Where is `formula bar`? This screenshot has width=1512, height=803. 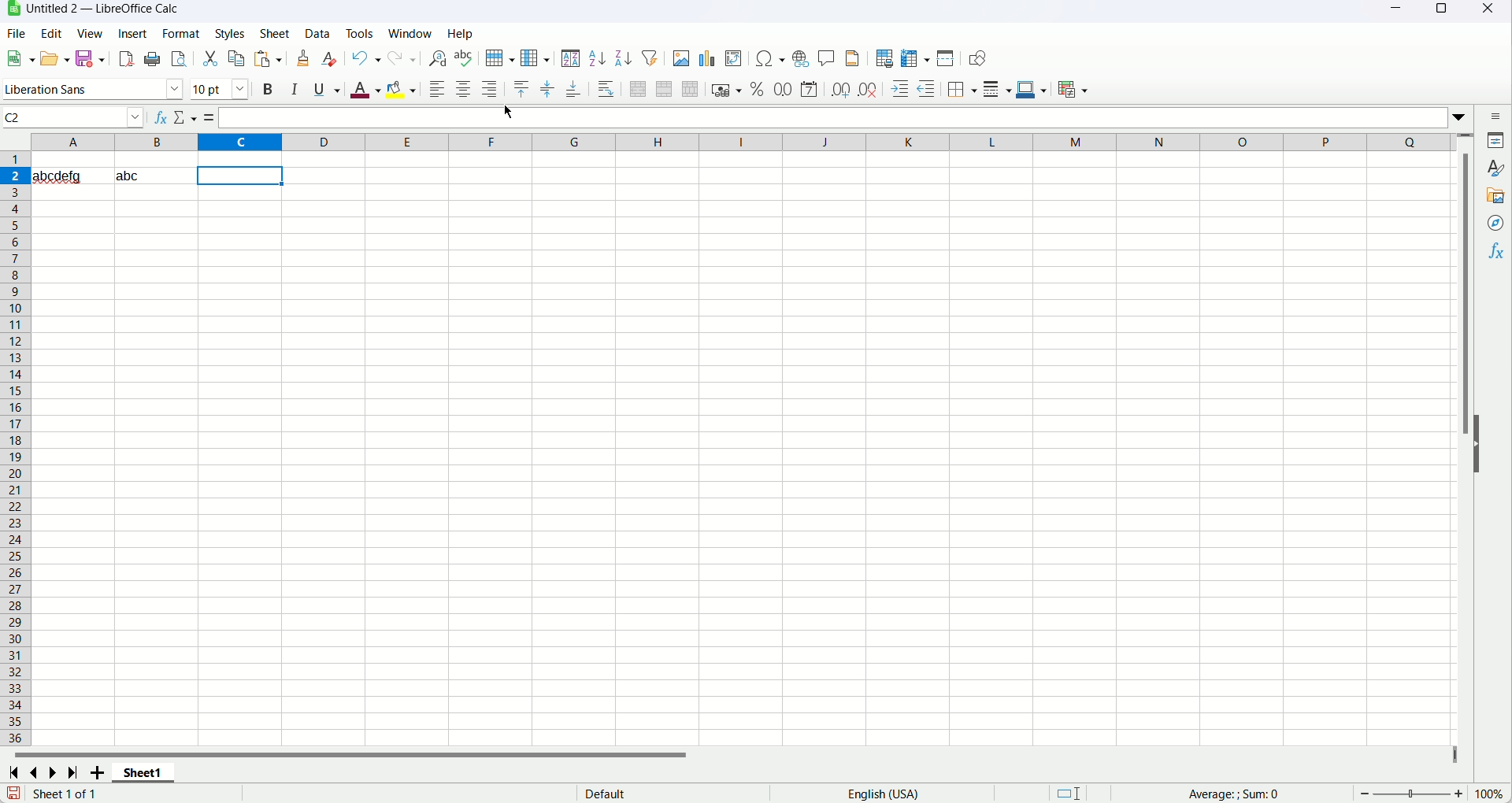
formula bar is located at coordinates (833, 117).